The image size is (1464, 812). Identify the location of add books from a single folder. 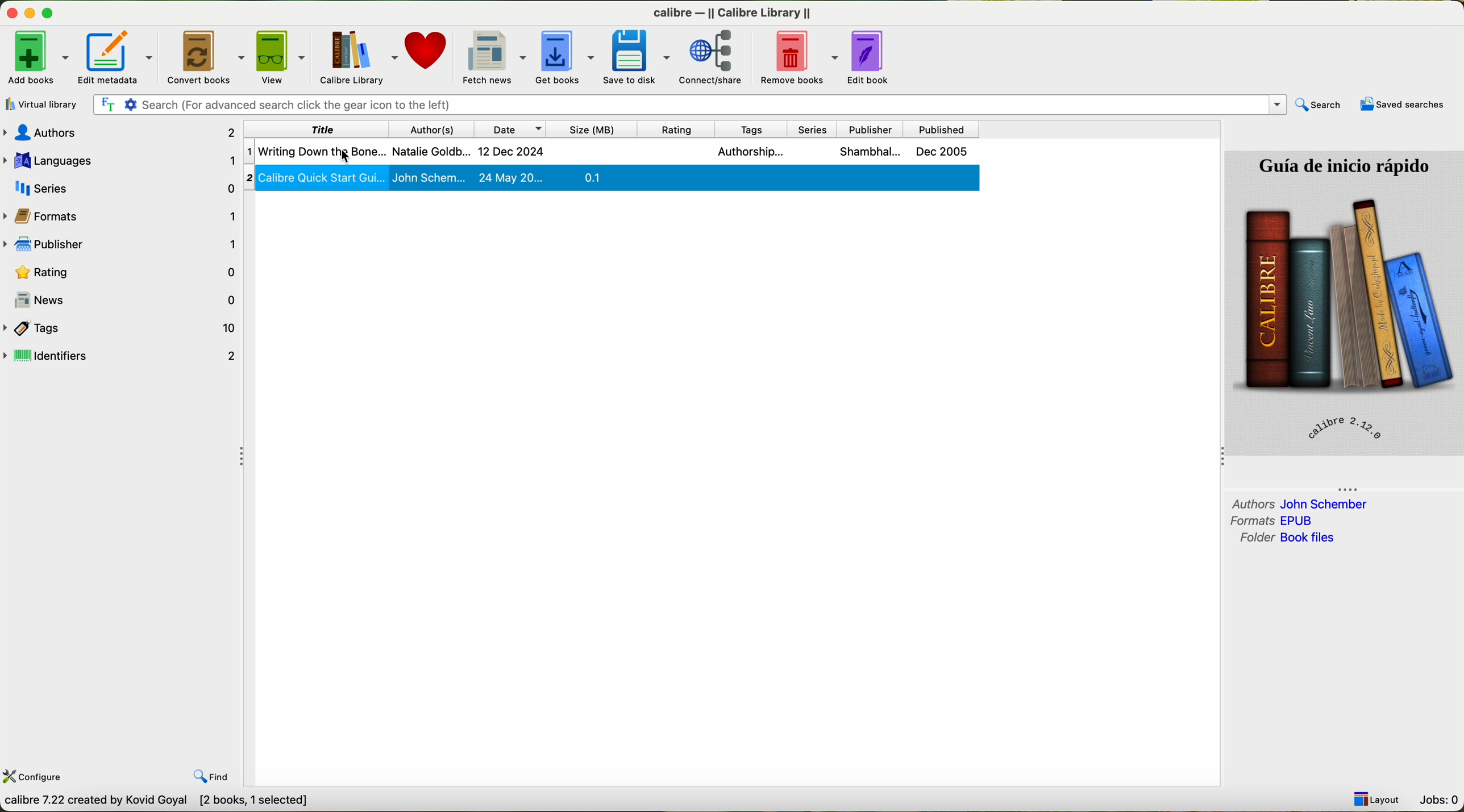
(45, 101).